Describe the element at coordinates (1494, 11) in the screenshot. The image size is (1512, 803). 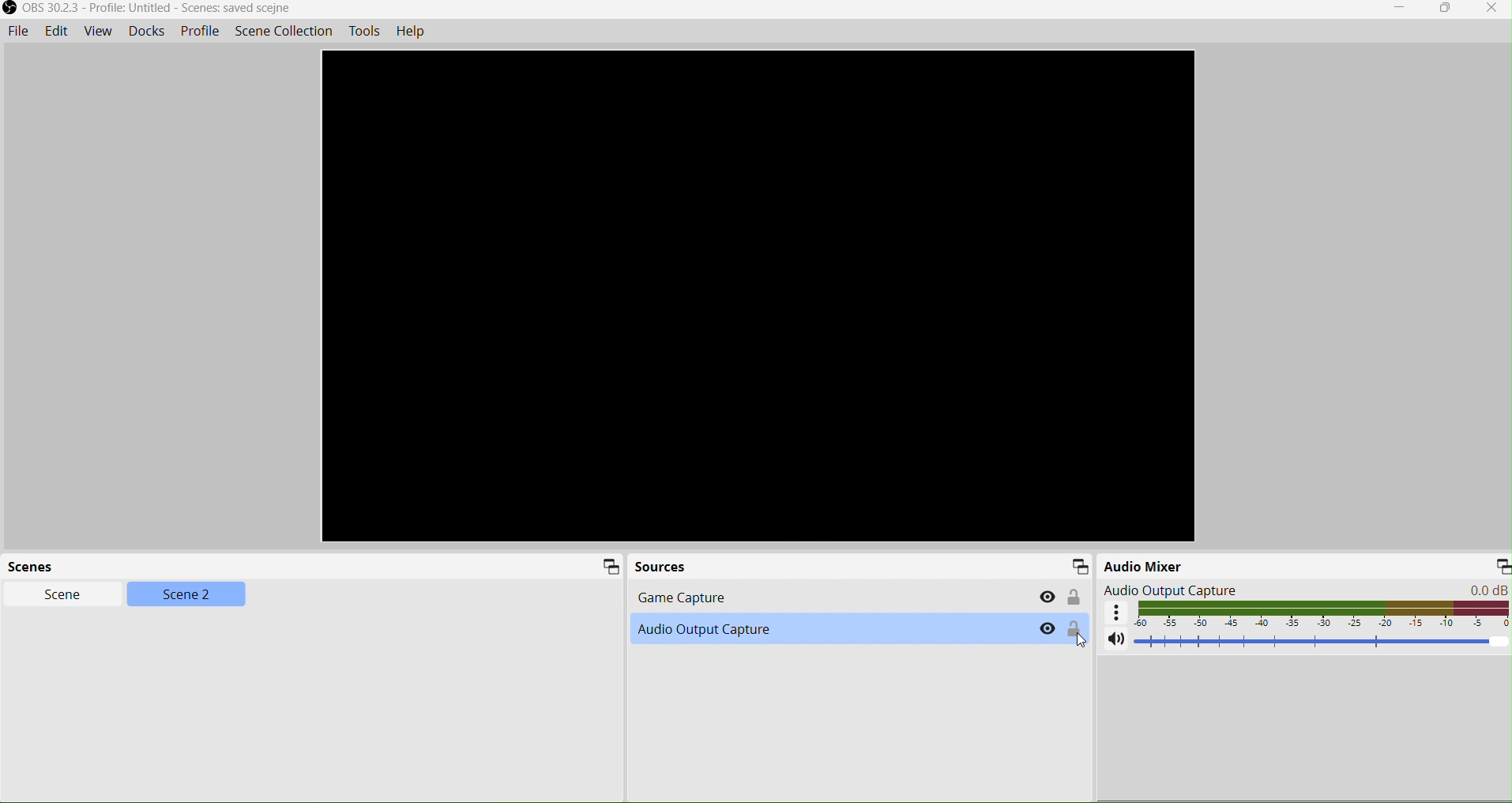
I see `Close` at that location.